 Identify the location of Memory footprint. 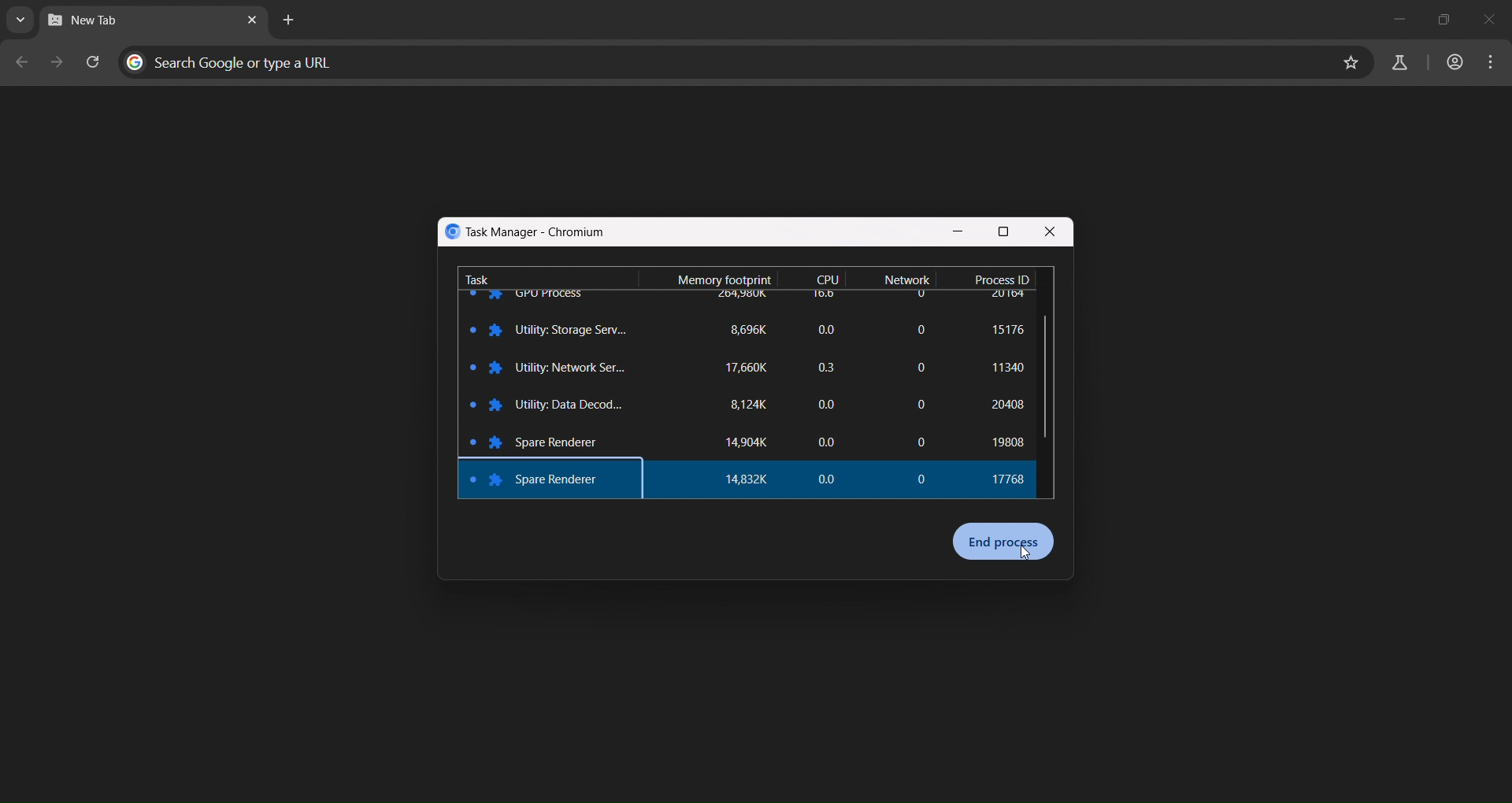
(719, 276).